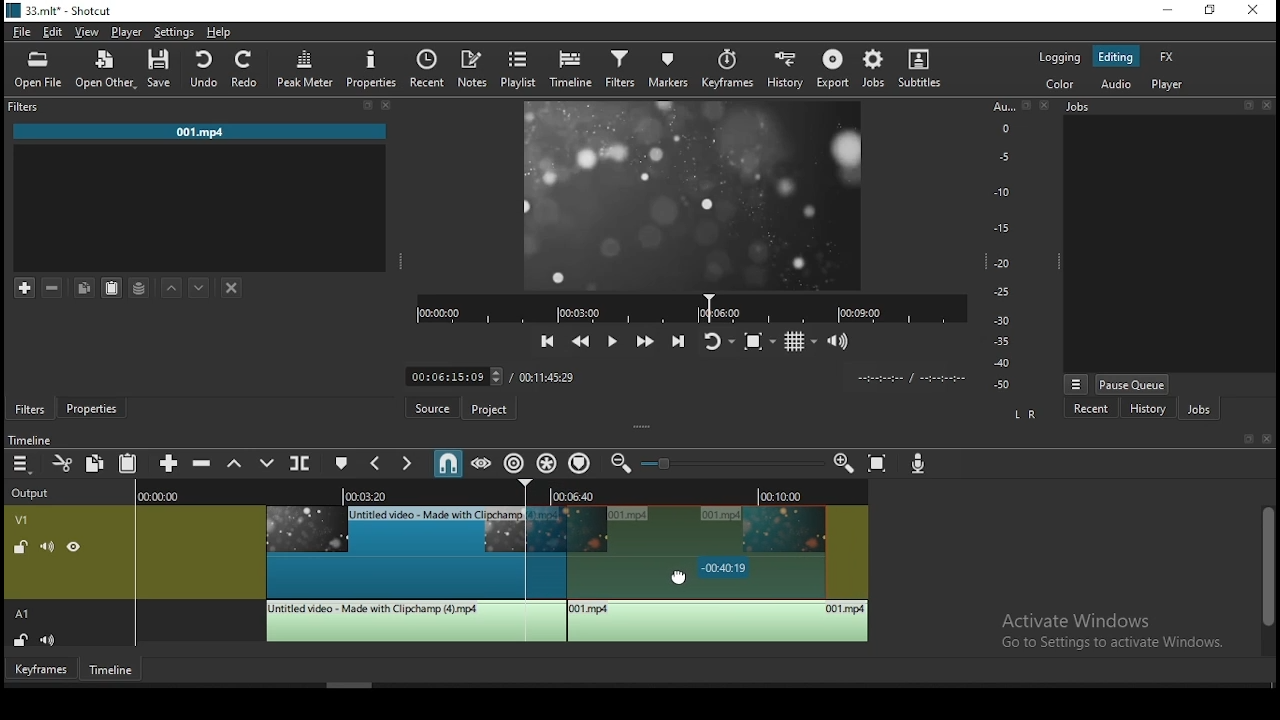 This screenshot has width=1280, height=720. What do you see at coordinates (1209, 11) in the screenshot?
I see `restore` at bounding box center [1209, 11].